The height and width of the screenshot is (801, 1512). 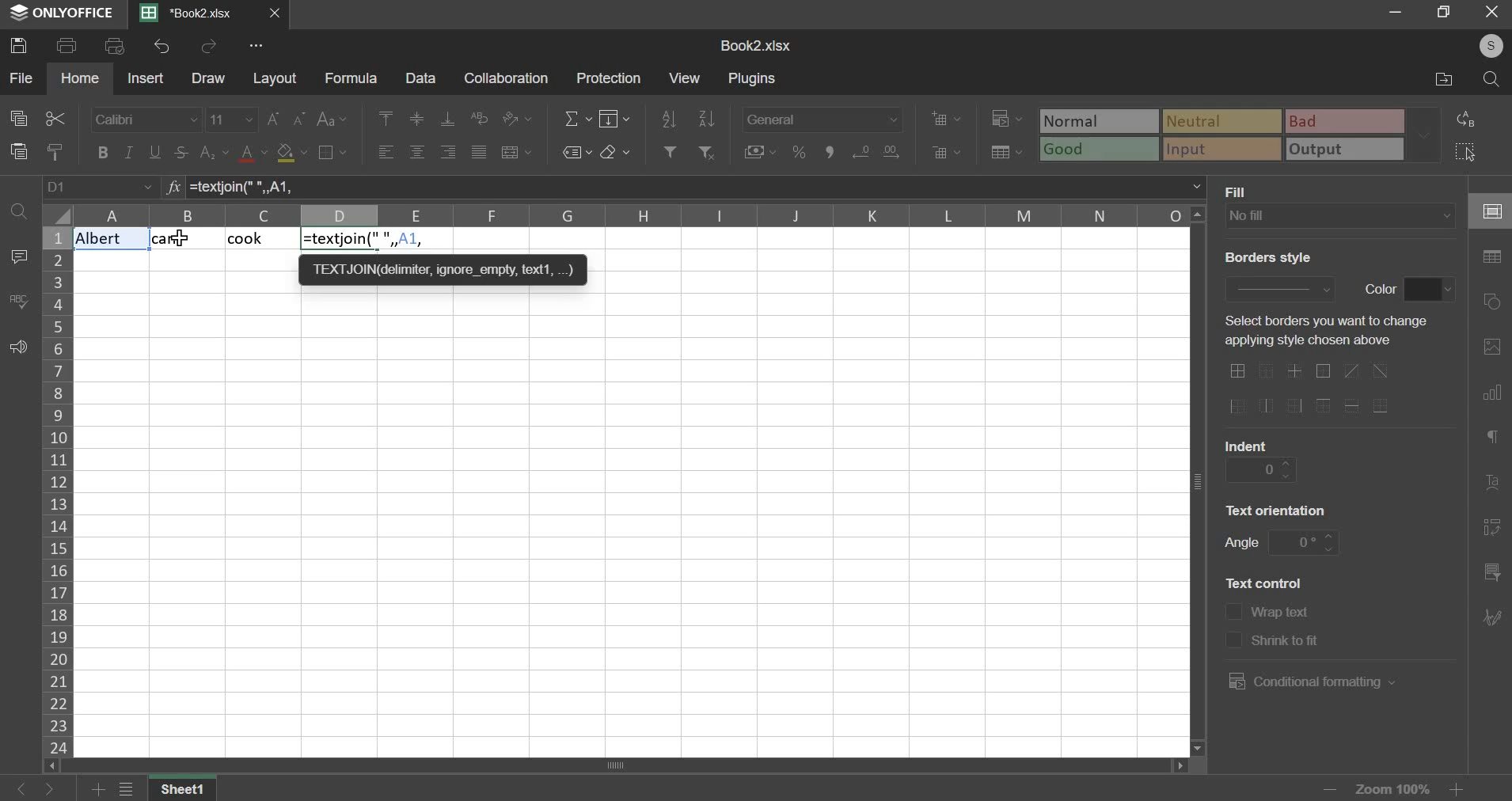 I want to click on user's account, so click(x=1482, y=44).